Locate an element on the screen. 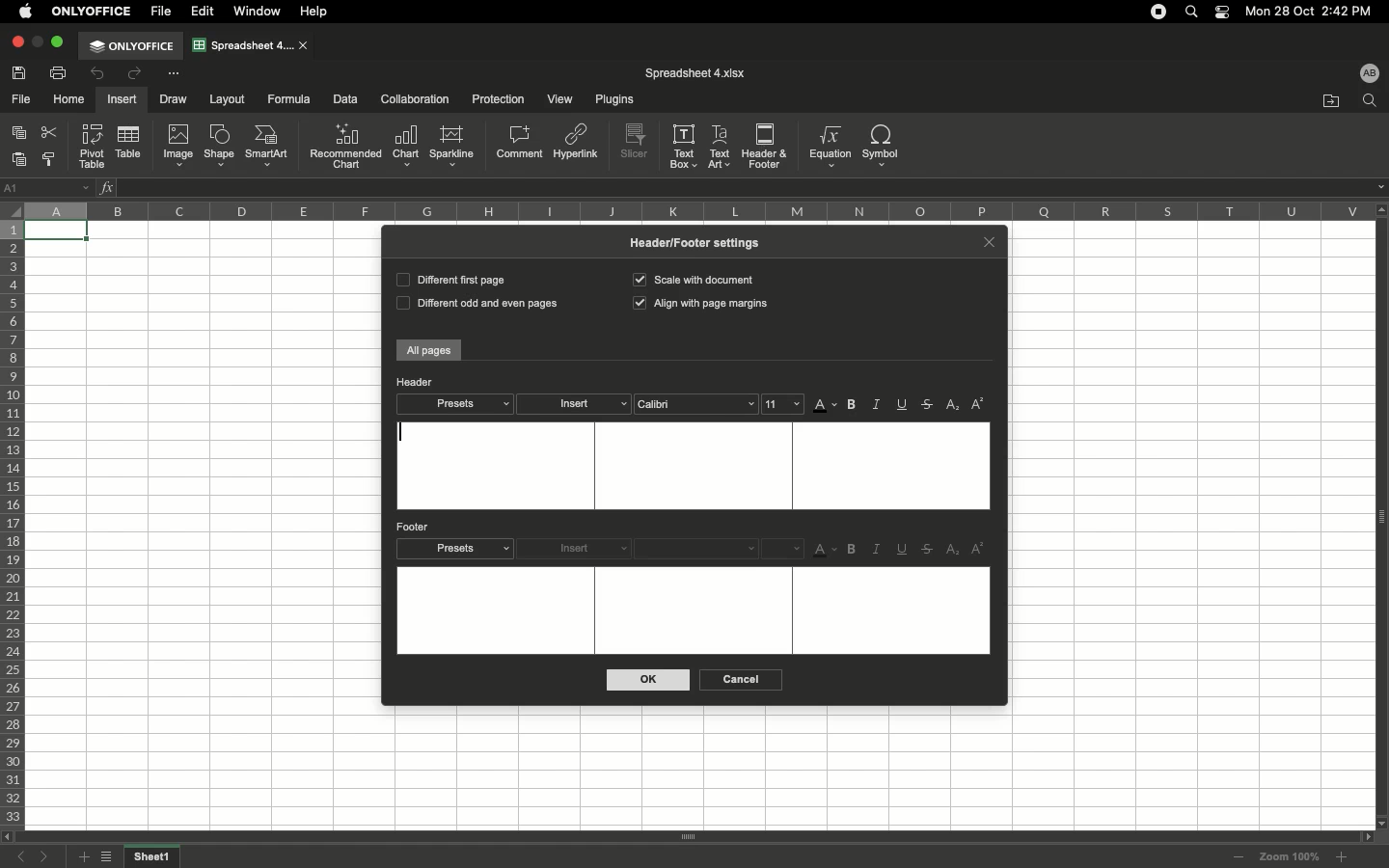 This screenshot has height=868, width=1389. Subscript is located at coordinates (954, 406).